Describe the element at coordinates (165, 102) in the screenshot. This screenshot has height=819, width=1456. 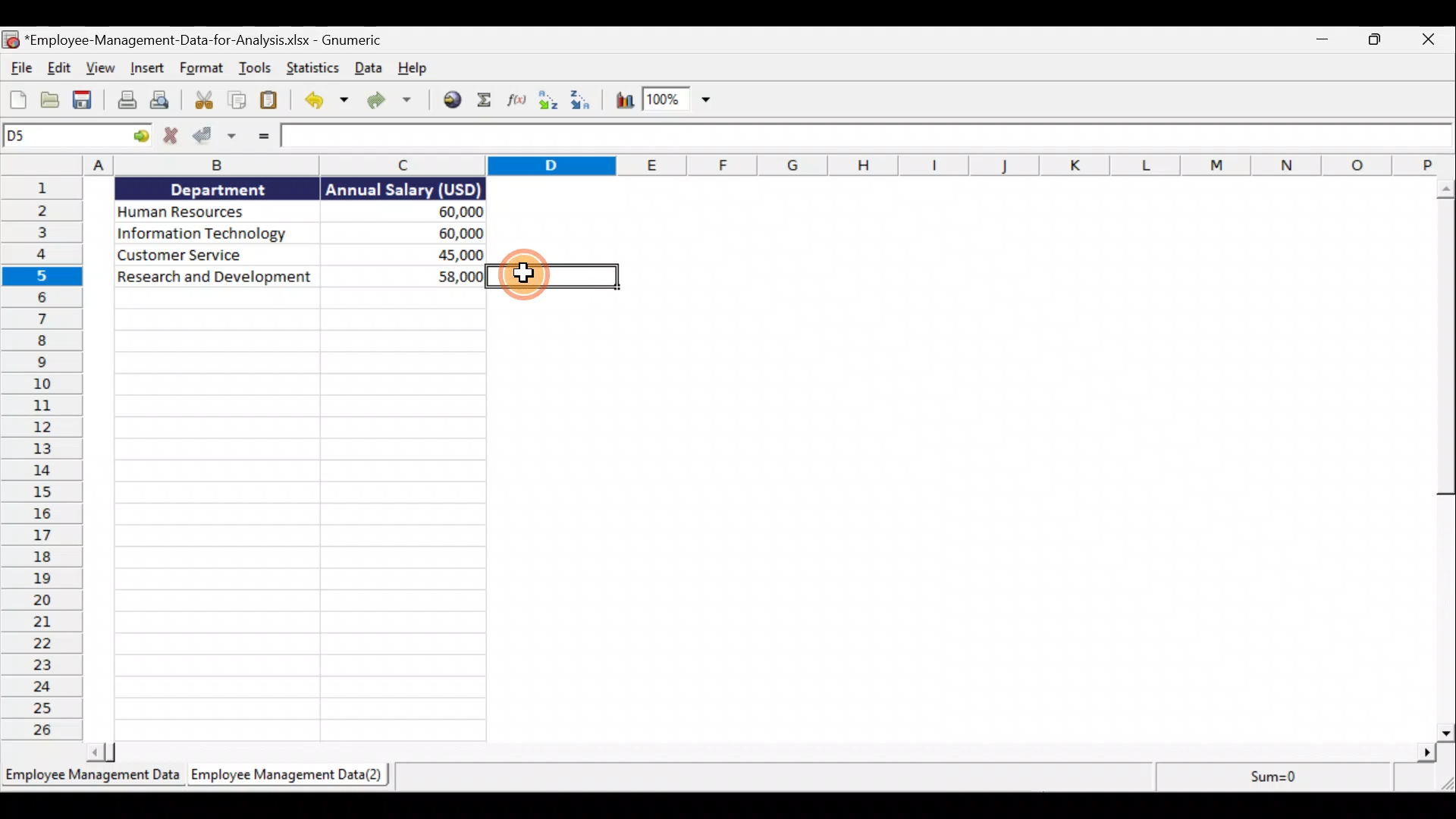
I see `Print preview` at that location.